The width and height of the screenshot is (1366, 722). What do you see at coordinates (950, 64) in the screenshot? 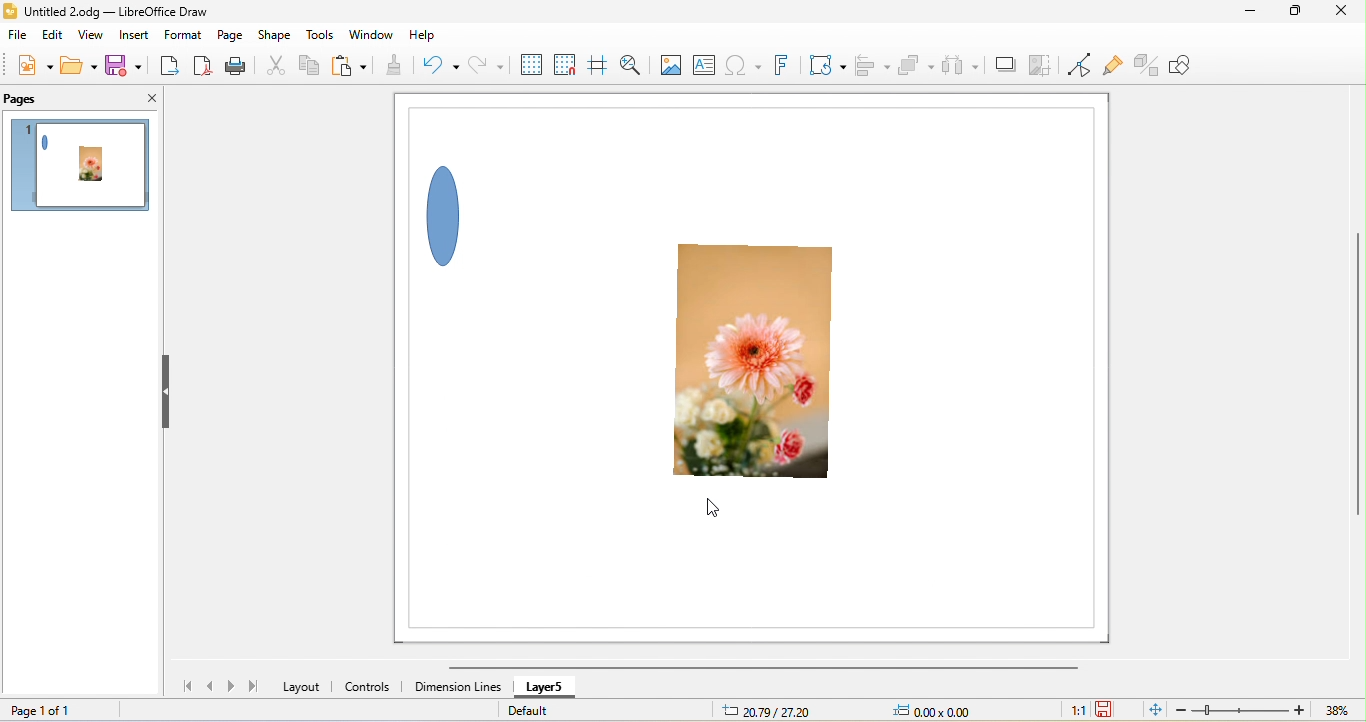
I see `select at least three object to distribute` at bounding box center [950, 64].